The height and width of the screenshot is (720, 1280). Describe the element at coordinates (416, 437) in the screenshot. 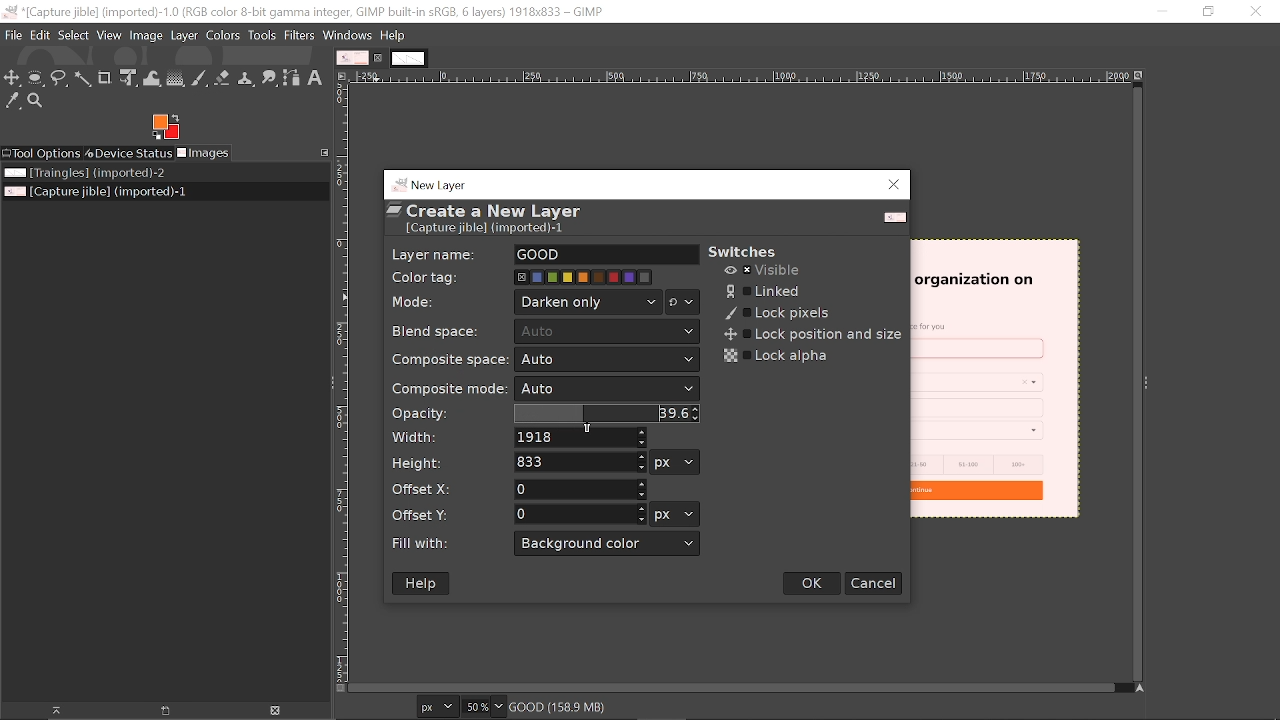

I see `Width:` at that location.